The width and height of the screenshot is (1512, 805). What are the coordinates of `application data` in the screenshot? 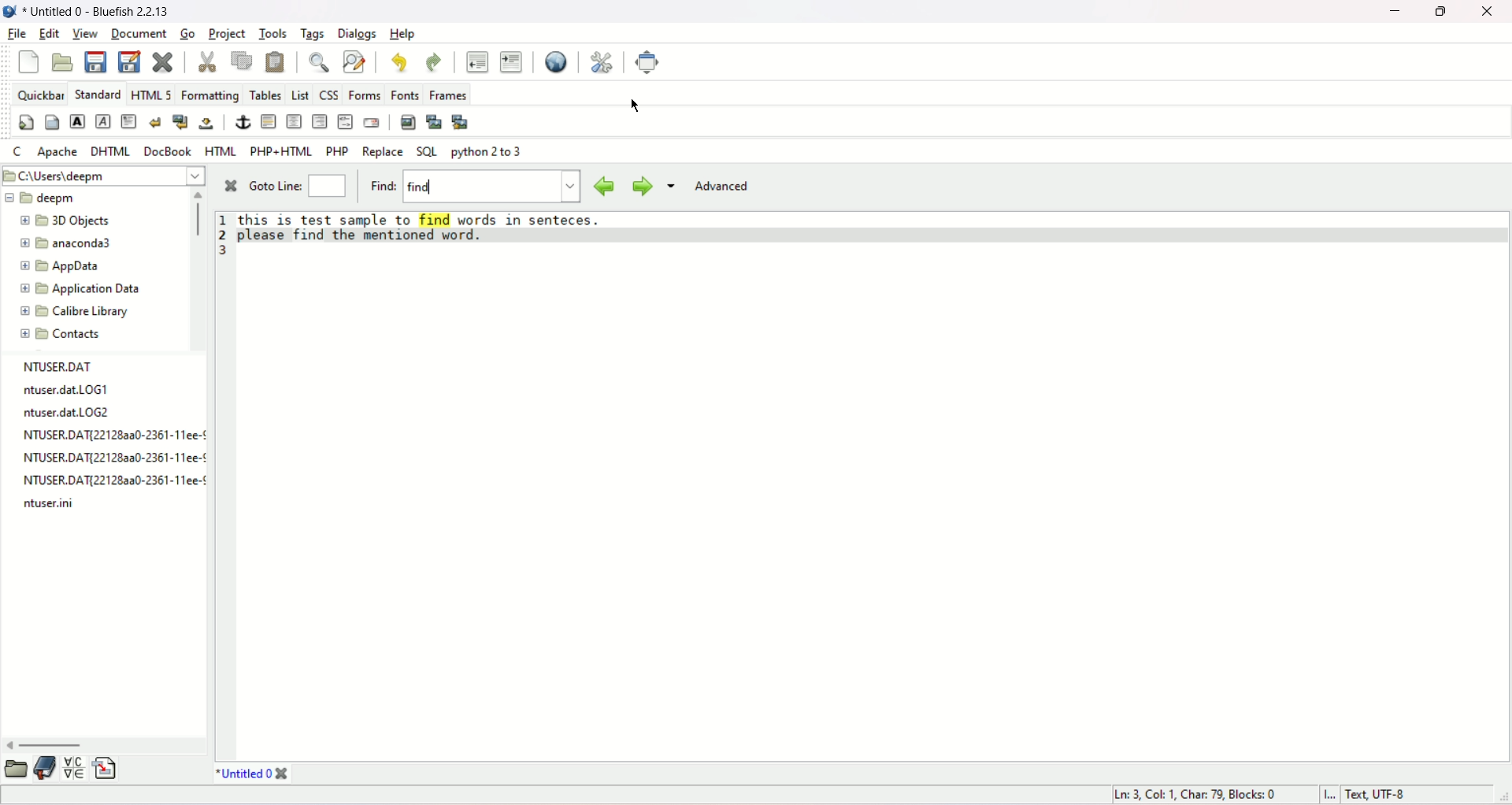 It's located at (83, 288).